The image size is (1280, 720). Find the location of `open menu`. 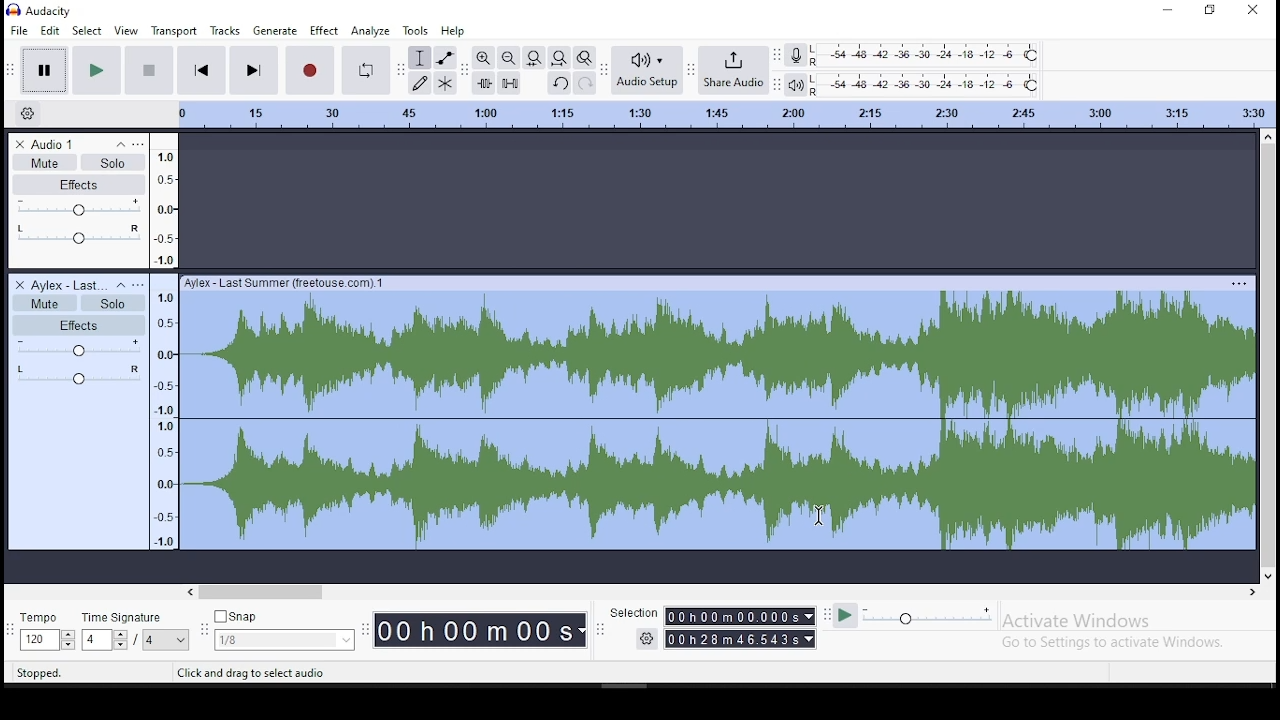

open menu is located at coordinates (141, 284).